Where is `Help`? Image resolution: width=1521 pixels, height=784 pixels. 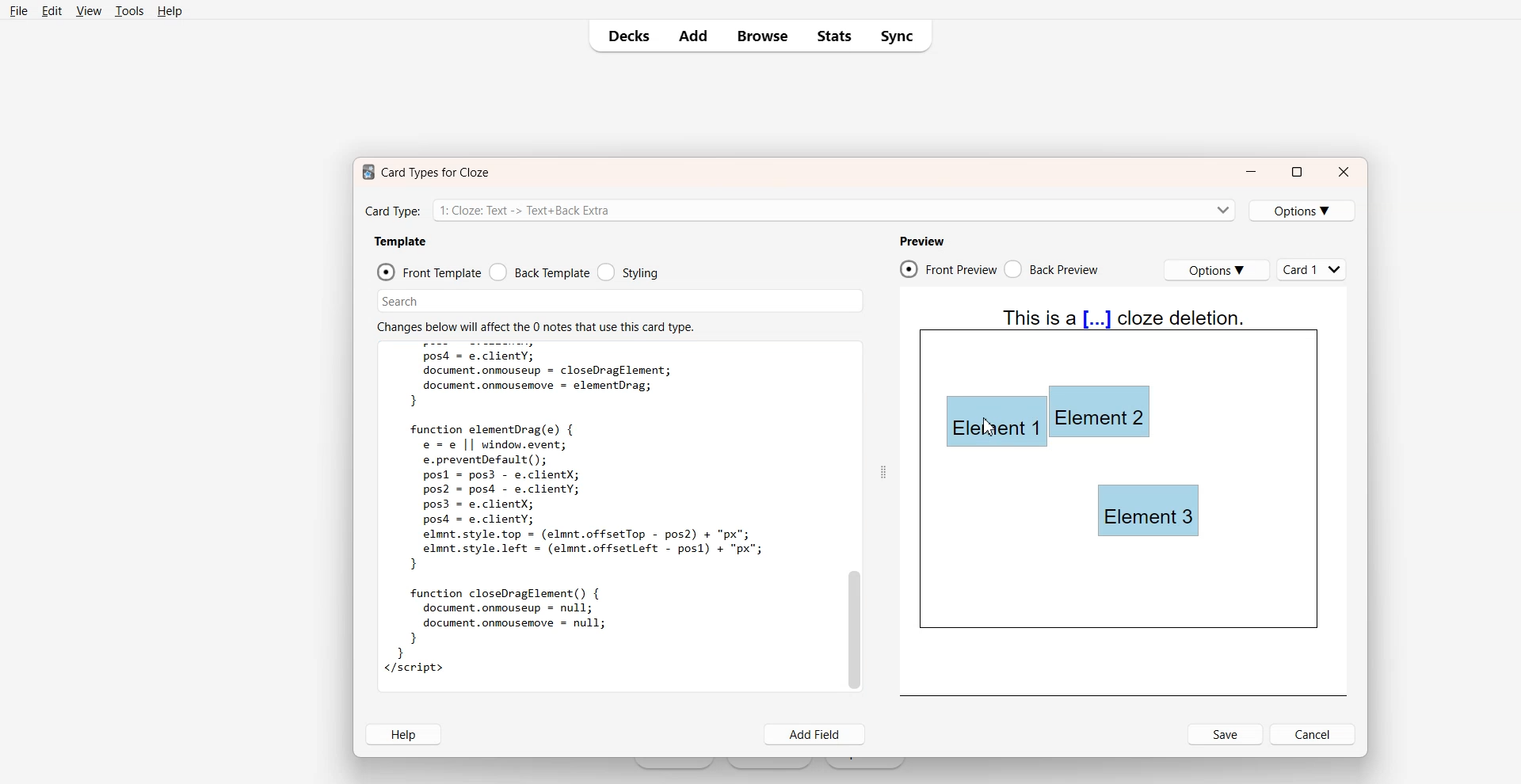 Help is located at coordinates (402, 734).